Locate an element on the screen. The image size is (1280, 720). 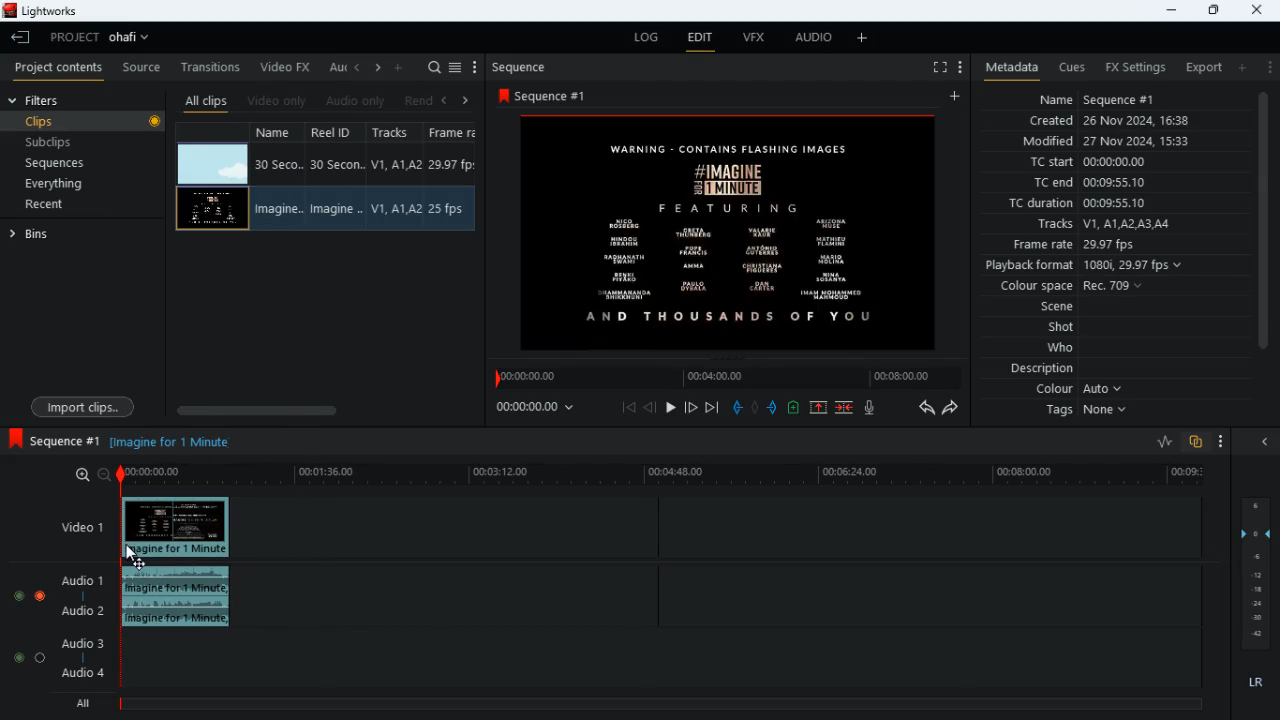
toggle is located at coordinates (41, 596).